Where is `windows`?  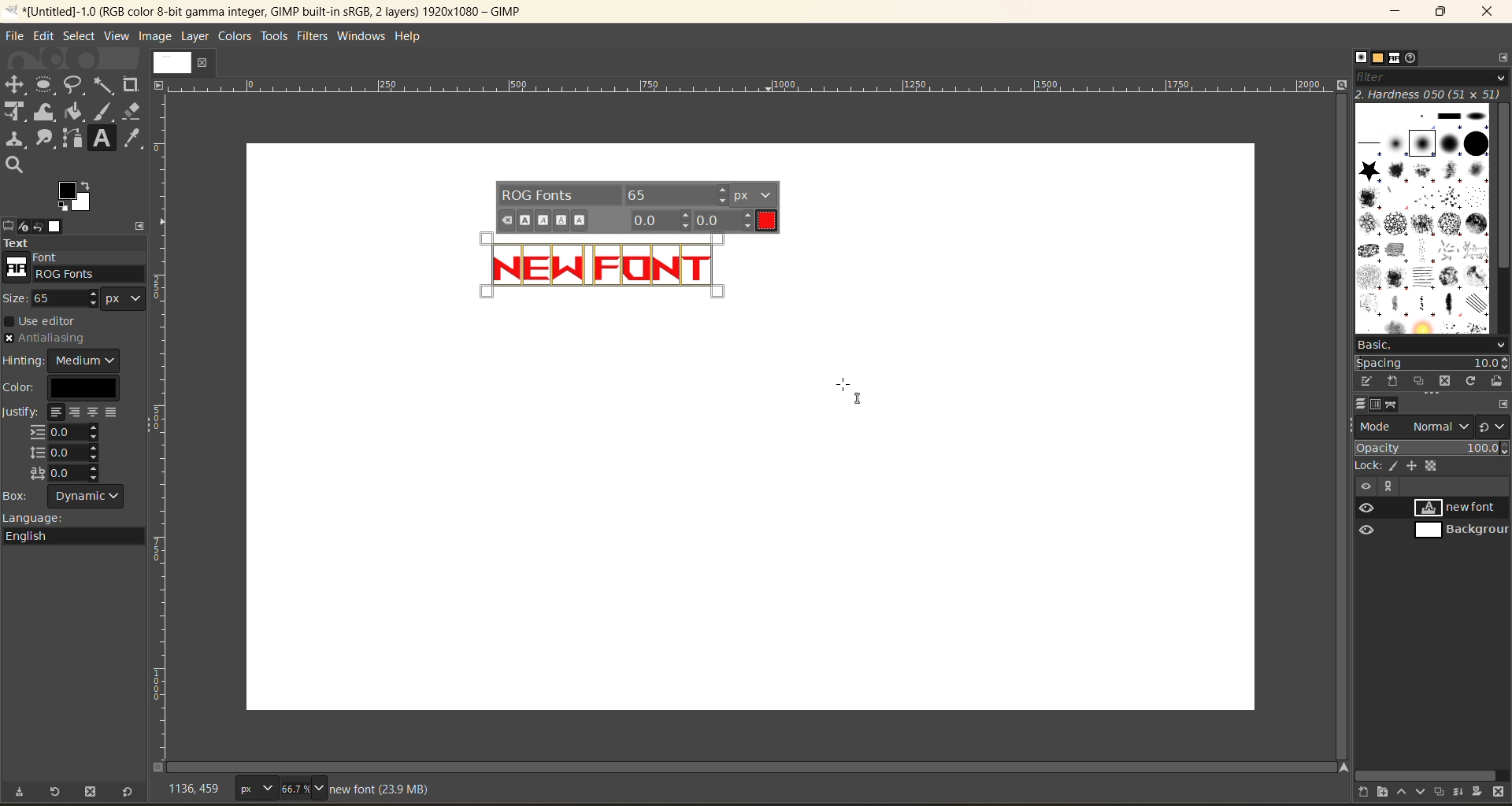
windows is located at coordinates (360, 38).